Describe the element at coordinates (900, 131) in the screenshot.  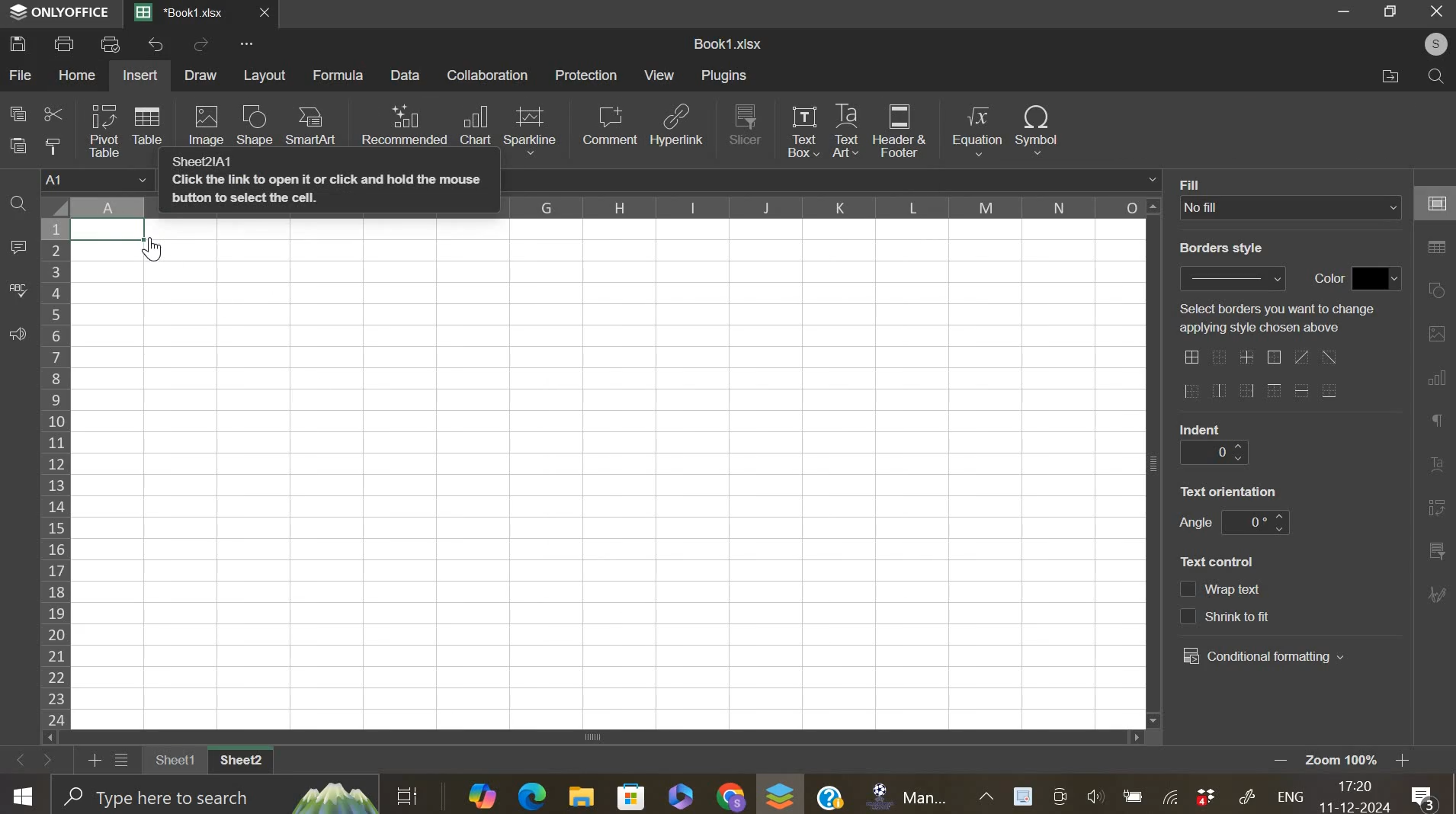
I see `header & footer` at that location.